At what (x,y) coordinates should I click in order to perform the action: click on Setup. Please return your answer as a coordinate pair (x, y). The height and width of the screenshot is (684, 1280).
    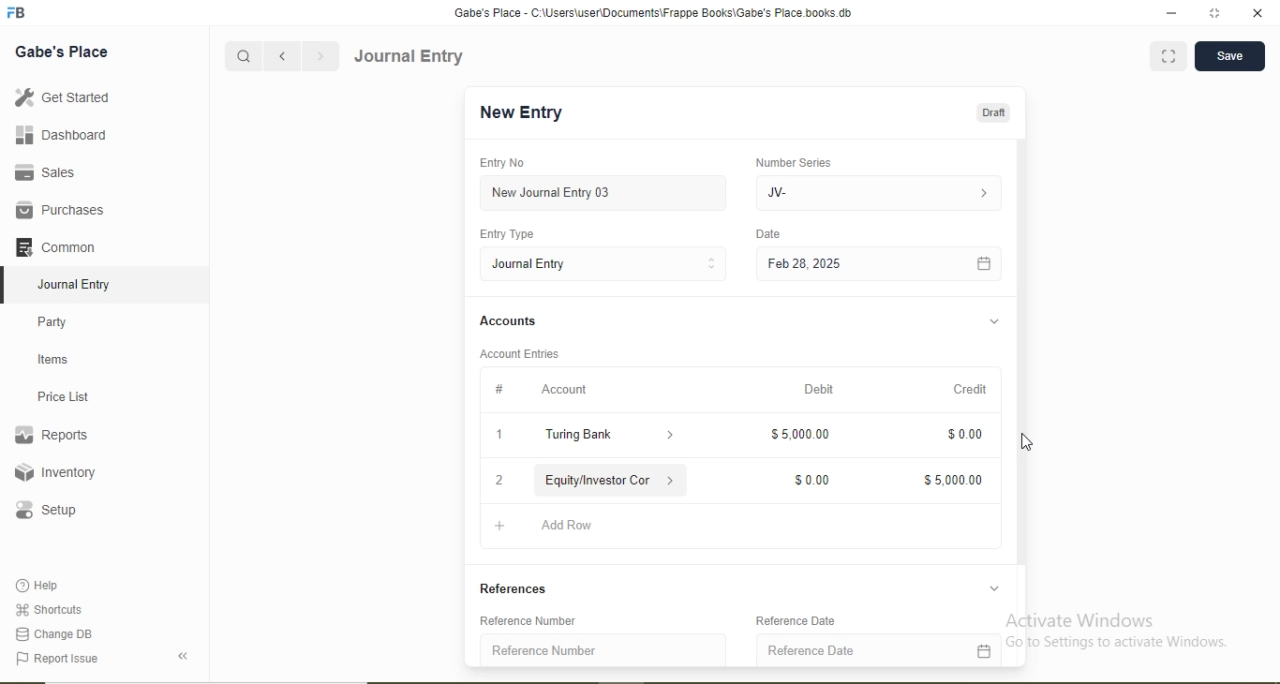
    Looking at the image, I should click on (45, 510).